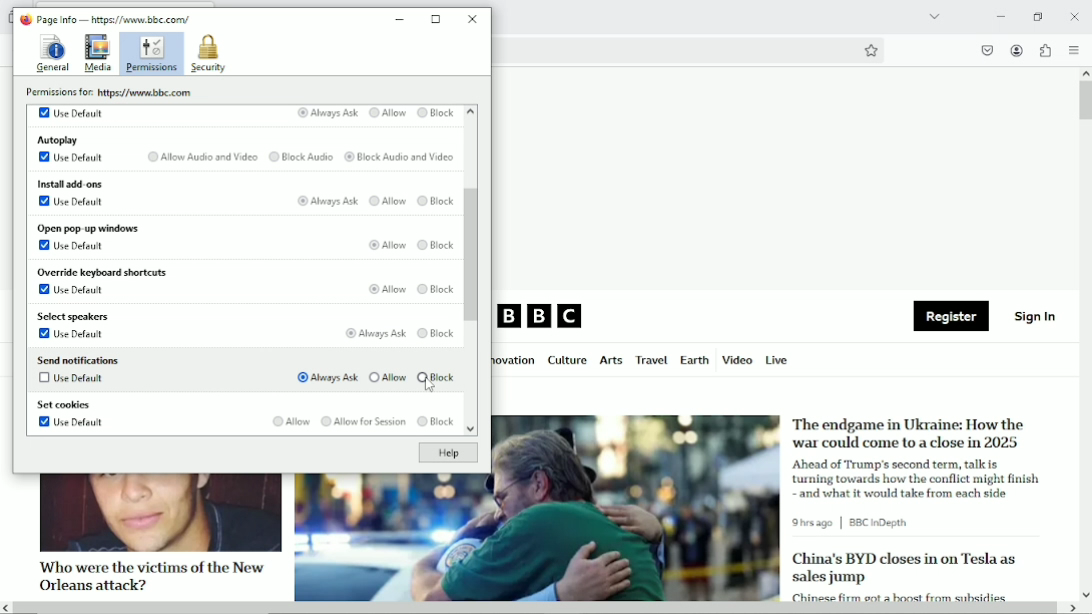 This screenshot has width=1092, height=614. I want to click on Block, so click(437, 245).